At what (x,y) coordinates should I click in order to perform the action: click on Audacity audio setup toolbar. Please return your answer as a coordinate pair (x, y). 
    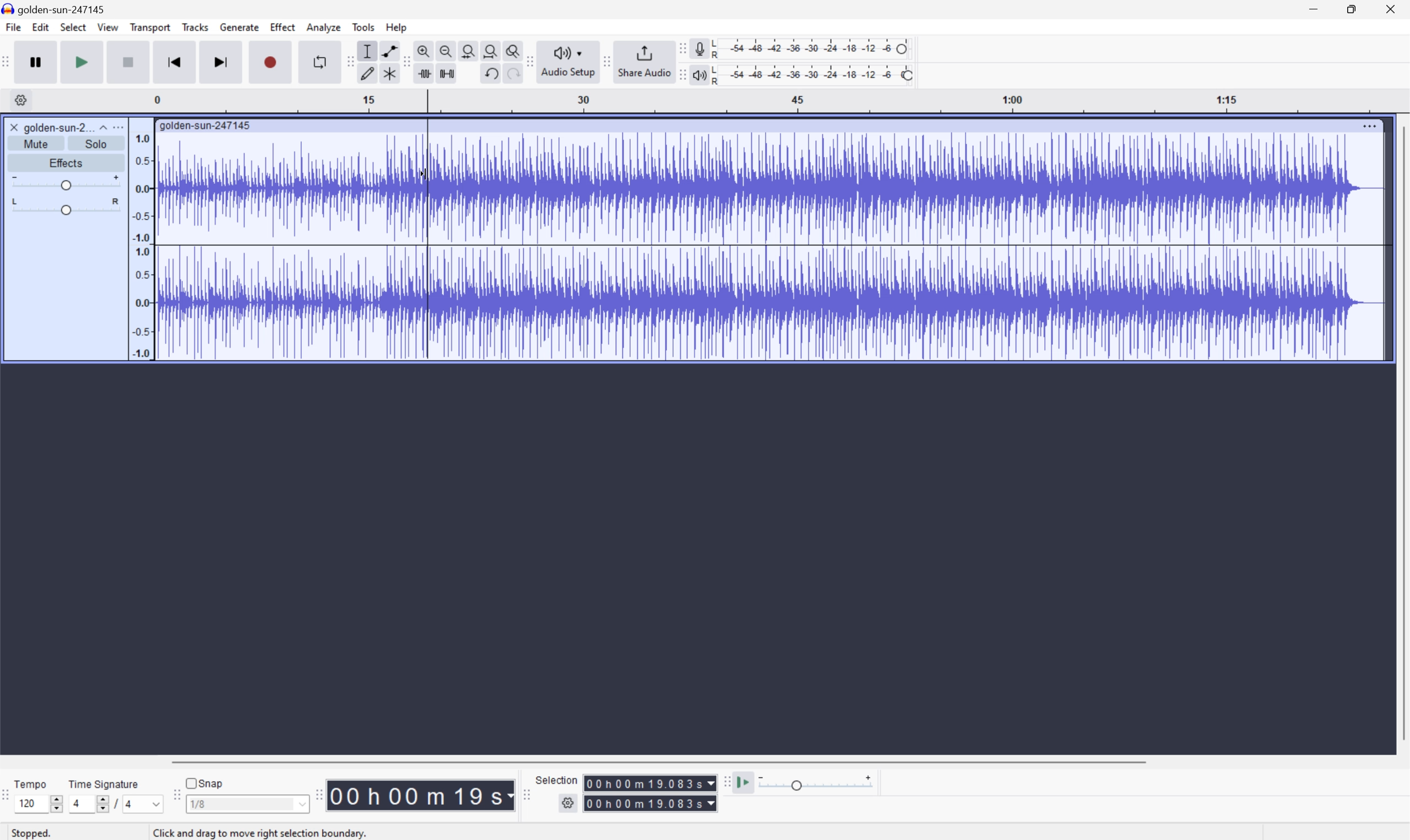
    Looking at the image, I should click on (529, 61).